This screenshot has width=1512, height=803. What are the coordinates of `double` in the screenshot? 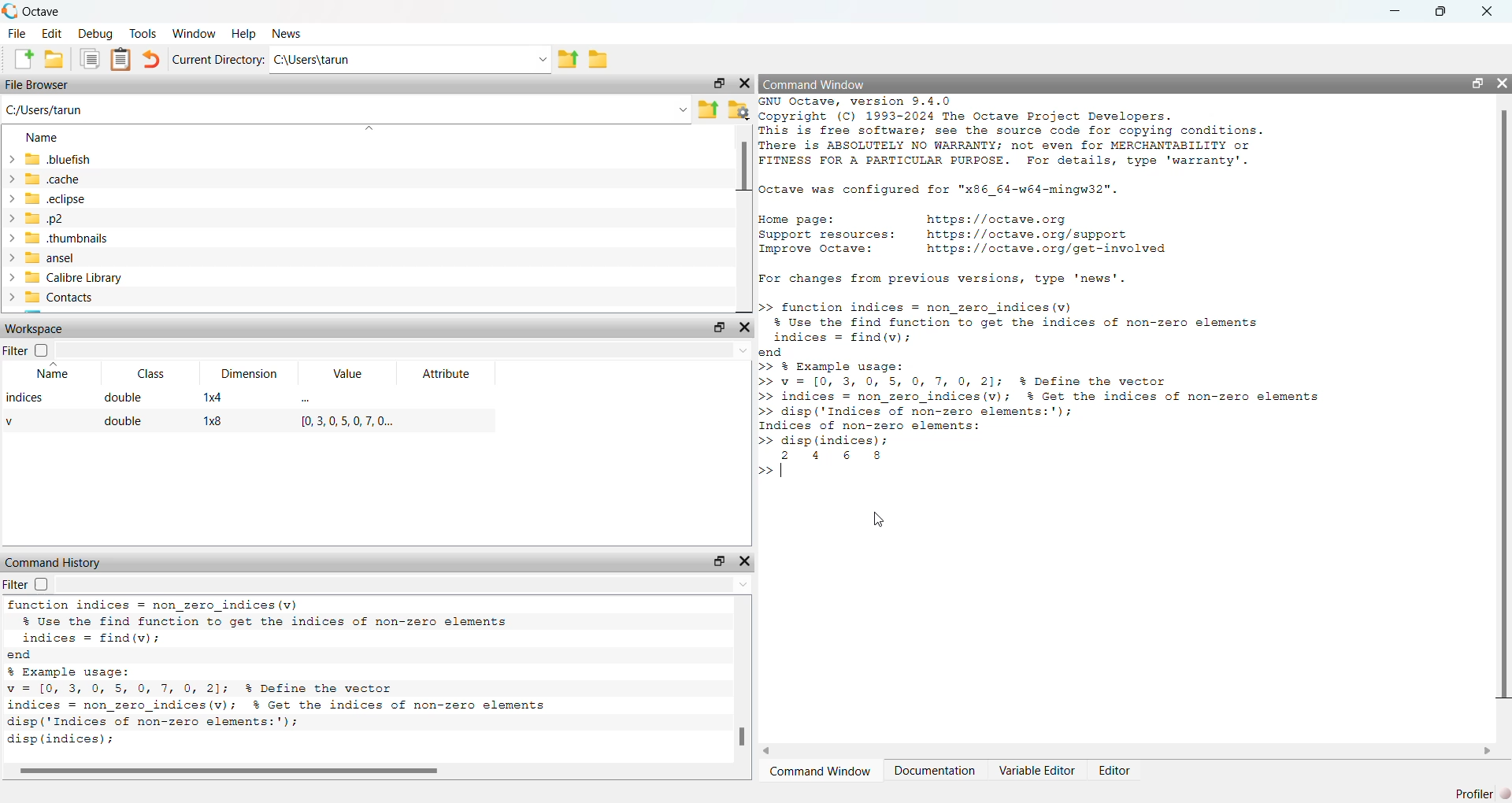 It's located at (122, 424).